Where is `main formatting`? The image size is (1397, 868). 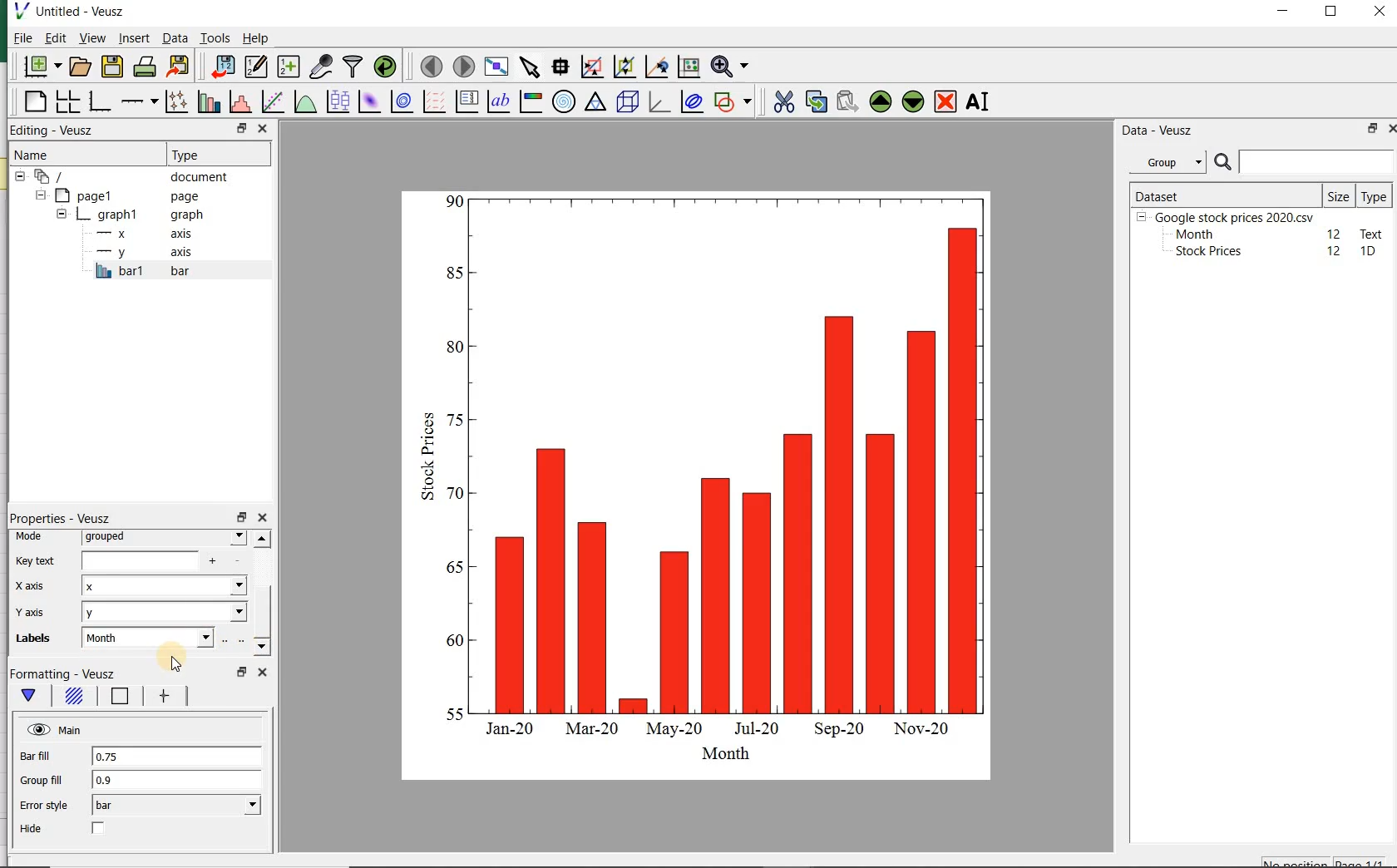
main formatting is located at coordinates (30, 695).